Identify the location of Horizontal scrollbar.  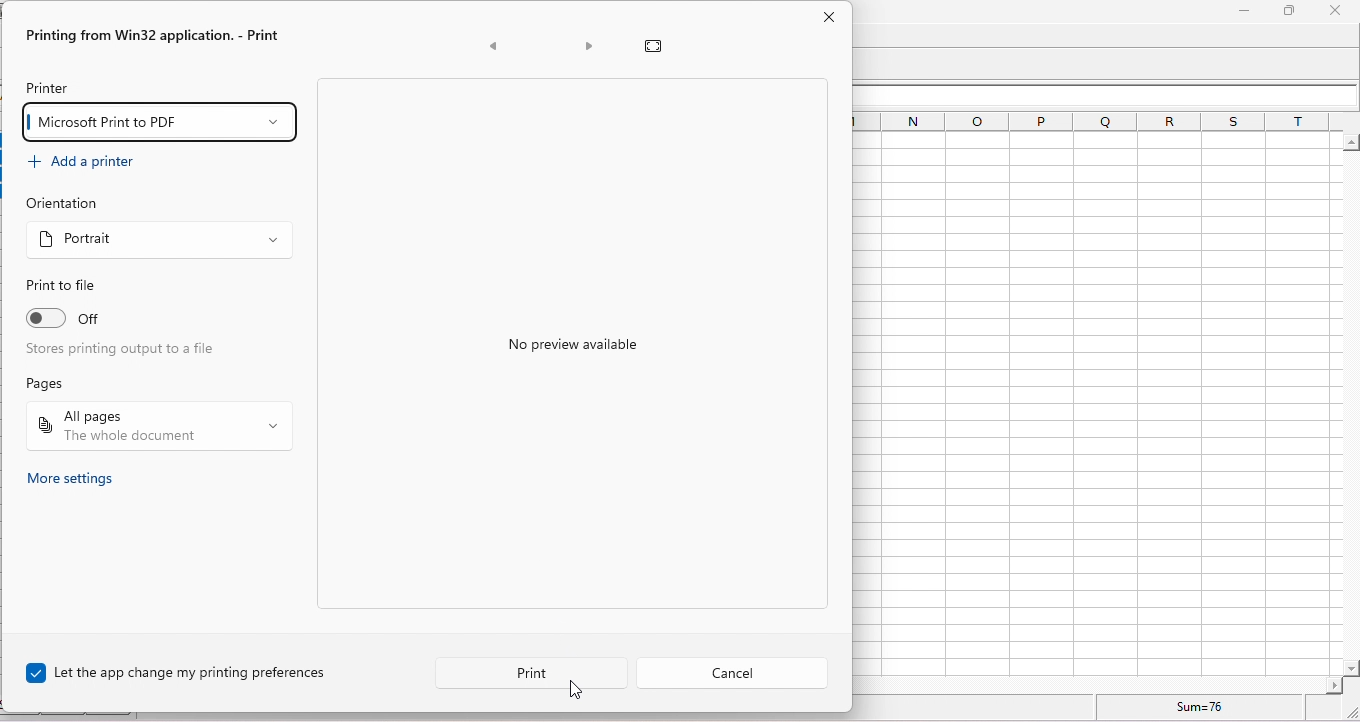
(1101, 684).